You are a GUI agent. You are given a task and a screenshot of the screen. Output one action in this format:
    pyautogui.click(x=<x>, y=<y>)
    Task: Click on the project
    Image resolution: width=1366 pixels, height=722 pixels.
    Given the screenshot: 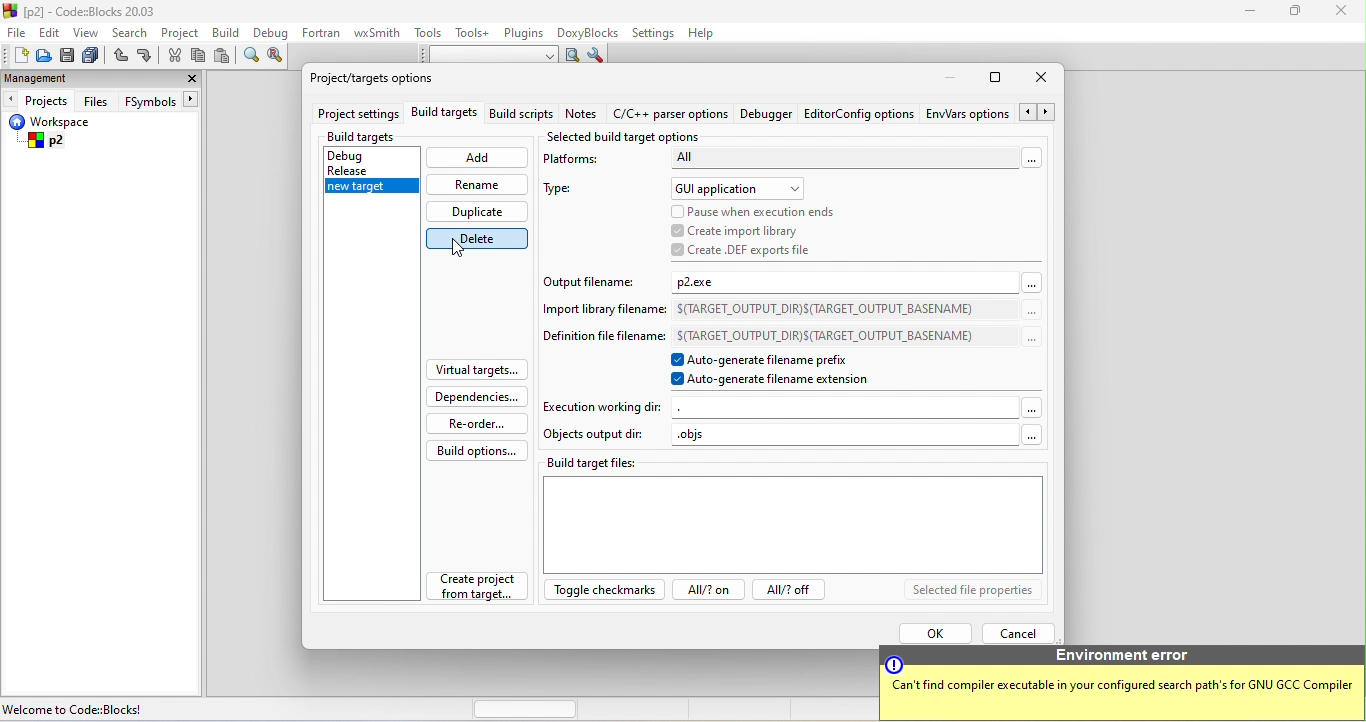 What is the action you would take?
    pyautogui.click(x=184, y=33)
    